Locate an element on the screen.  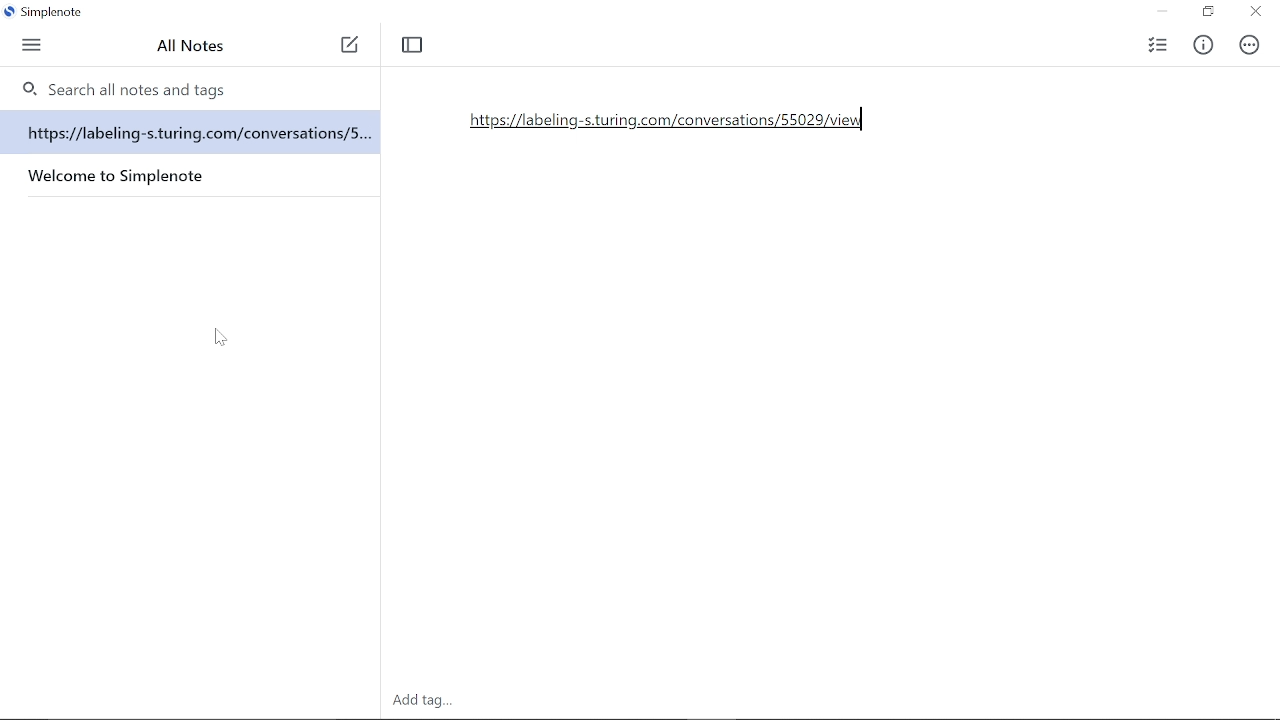
https://labeling-s.turing.com/conversations/s... is located at coordinates (197, 136).